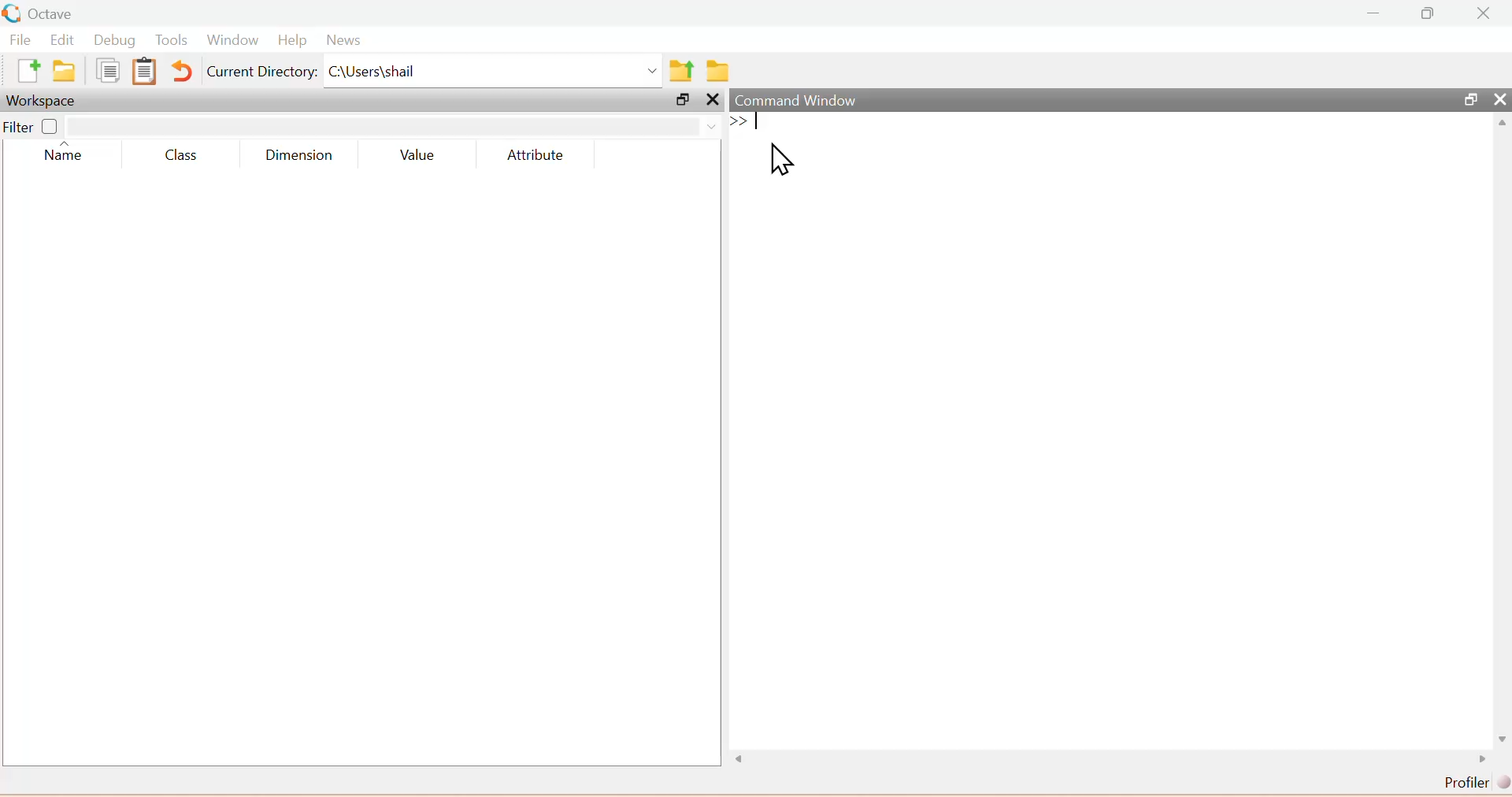 Image resolution: width=1512 pixels, height=797 pixels. Describe the element at coordinates (184, 156) in the screenshot. I see `Class` at that location.